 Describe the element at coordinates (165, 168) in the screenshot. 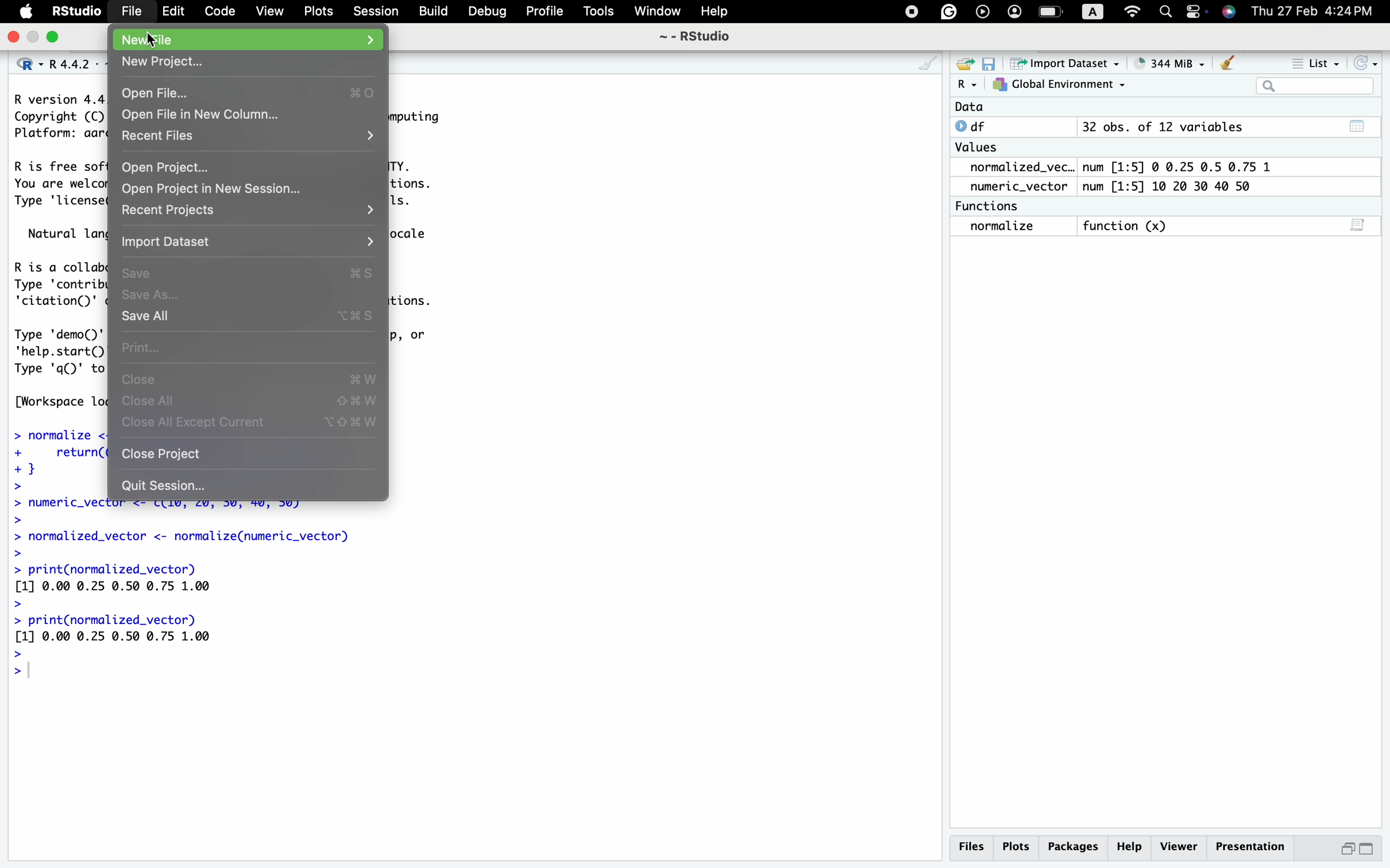

I see `Open Project...` at that location.